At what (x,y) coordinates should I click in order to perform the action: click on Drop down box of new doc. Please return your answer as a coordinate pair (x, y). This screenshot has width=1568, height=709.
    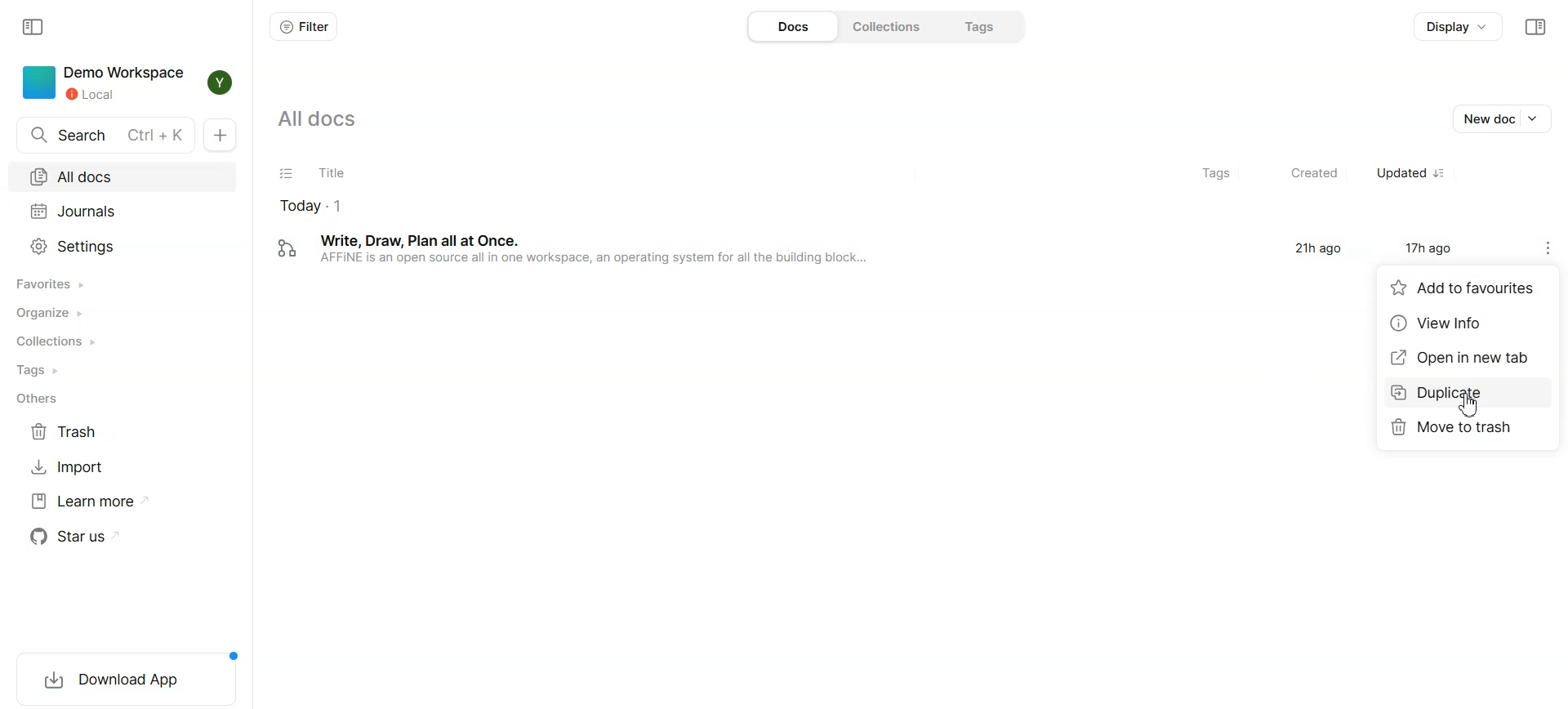
    Looking at the image, I should click on (1539, 118).